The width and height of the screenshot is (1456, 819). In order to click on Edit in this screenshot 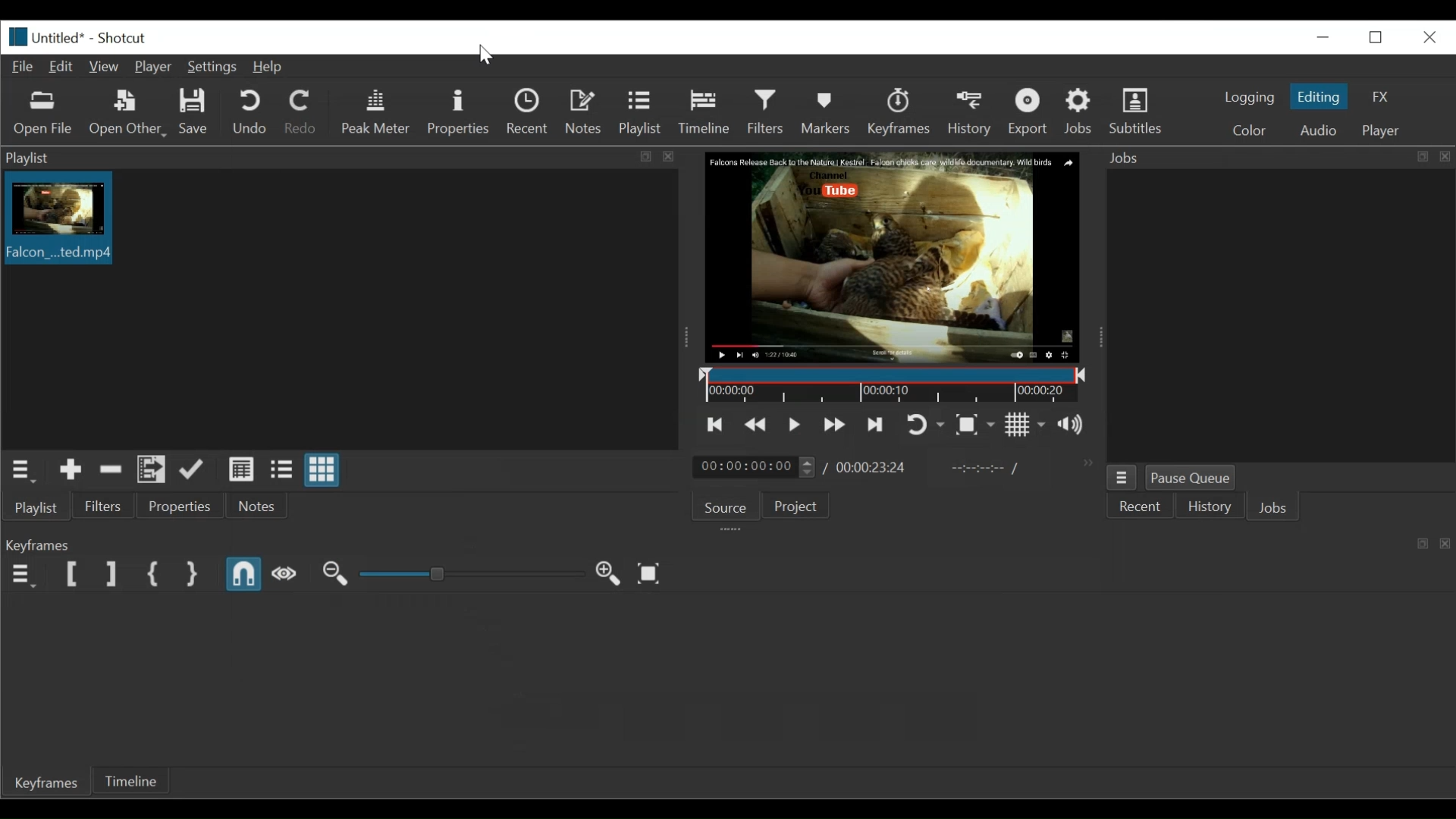, I will do `click(61, 69)`.